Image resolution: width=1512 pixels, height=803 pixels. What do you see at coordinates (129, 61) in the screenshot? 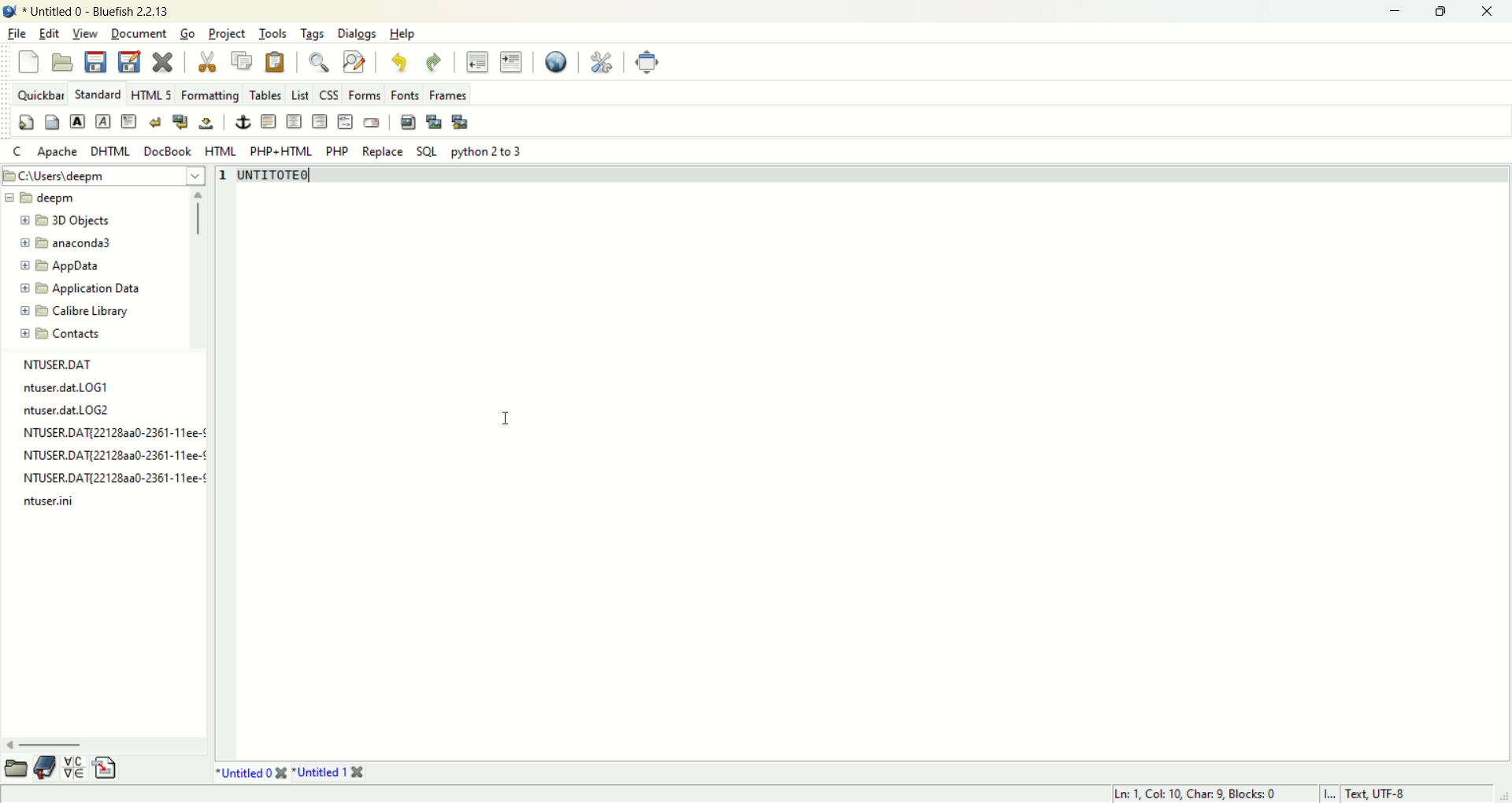
I see `save as` at bounding box center [129, 61].